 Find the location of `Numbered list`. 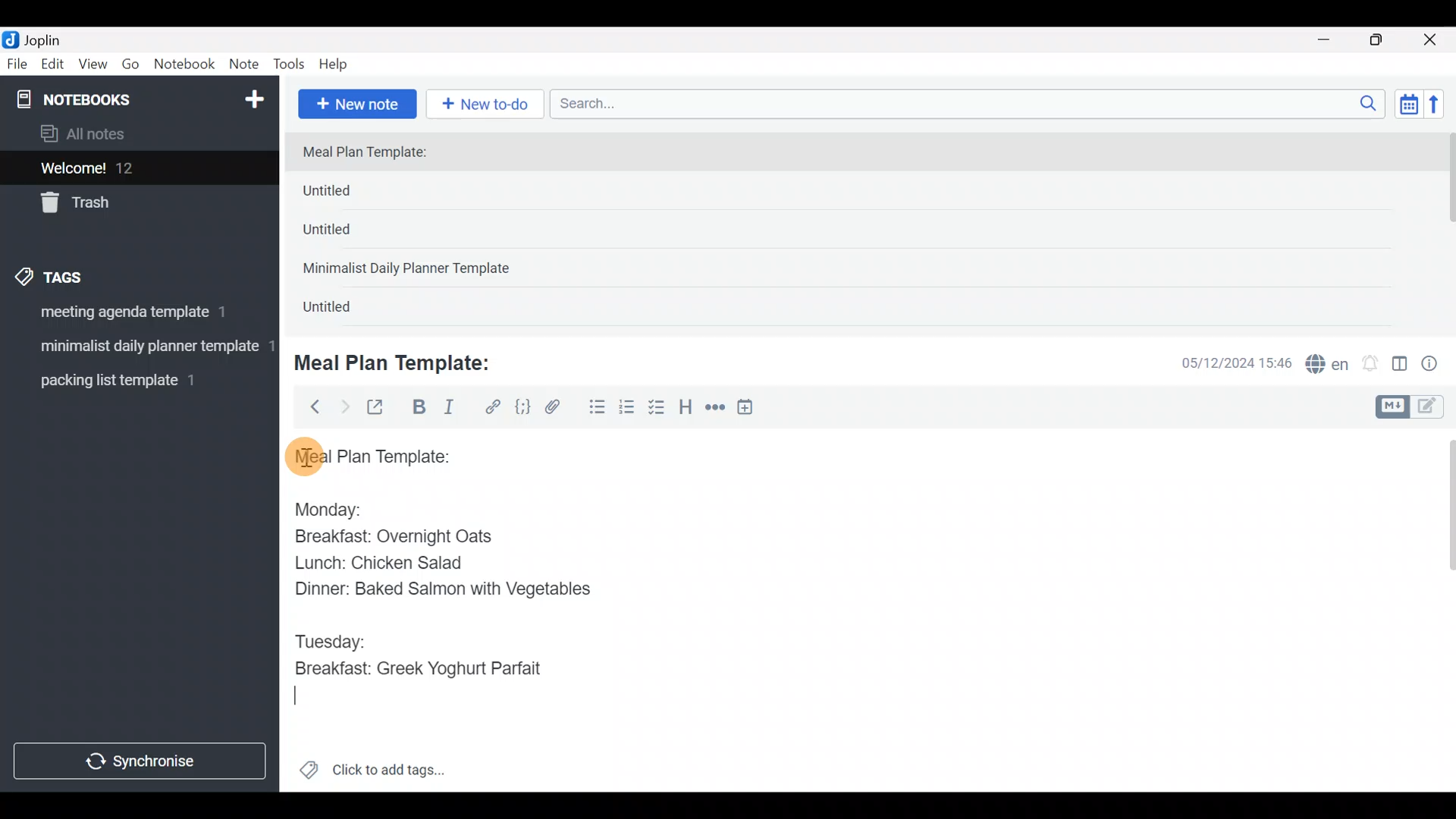

Numbered list is located at coordinates (627, 410).